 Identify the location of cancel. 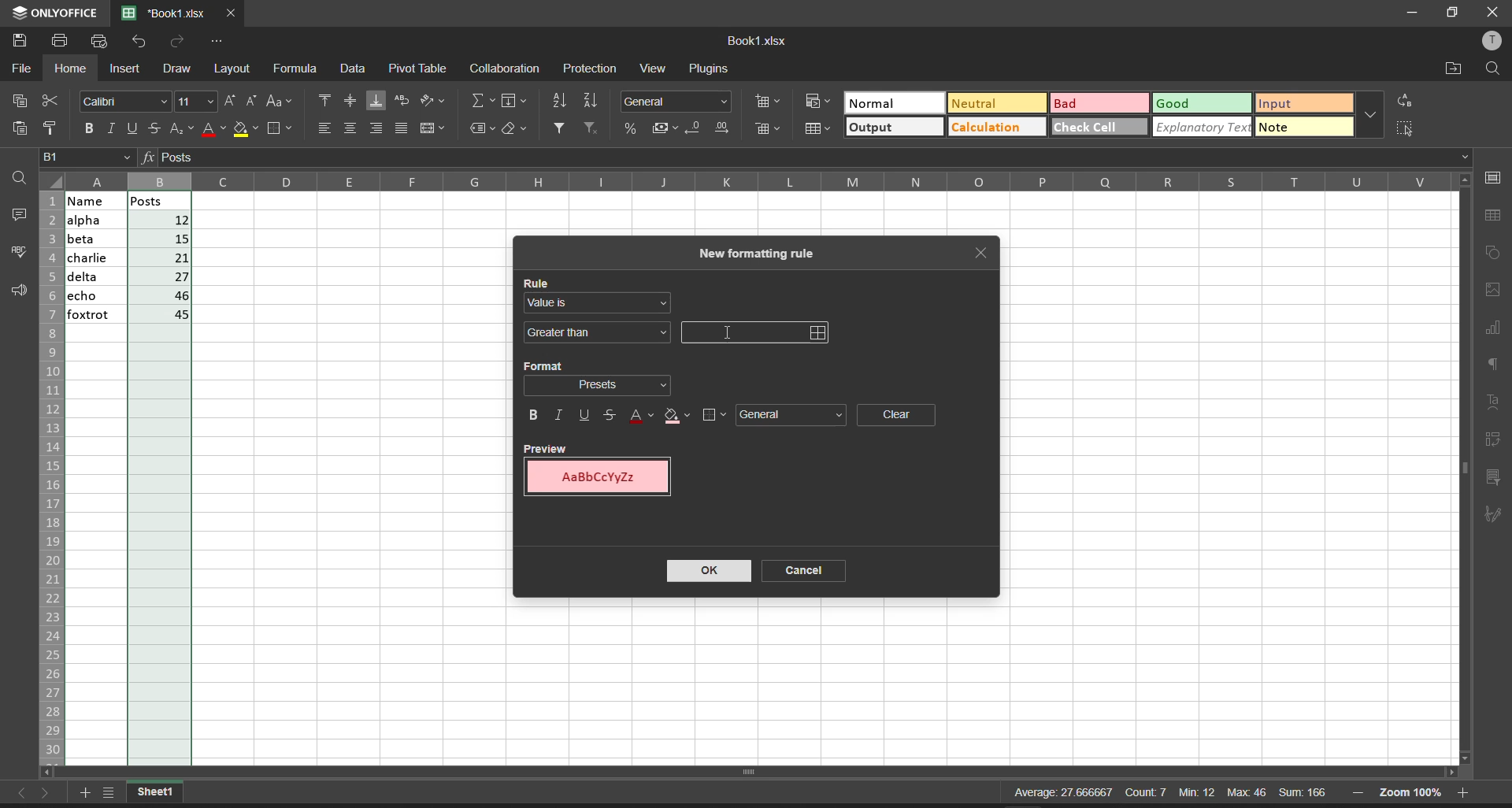
(810, 573).